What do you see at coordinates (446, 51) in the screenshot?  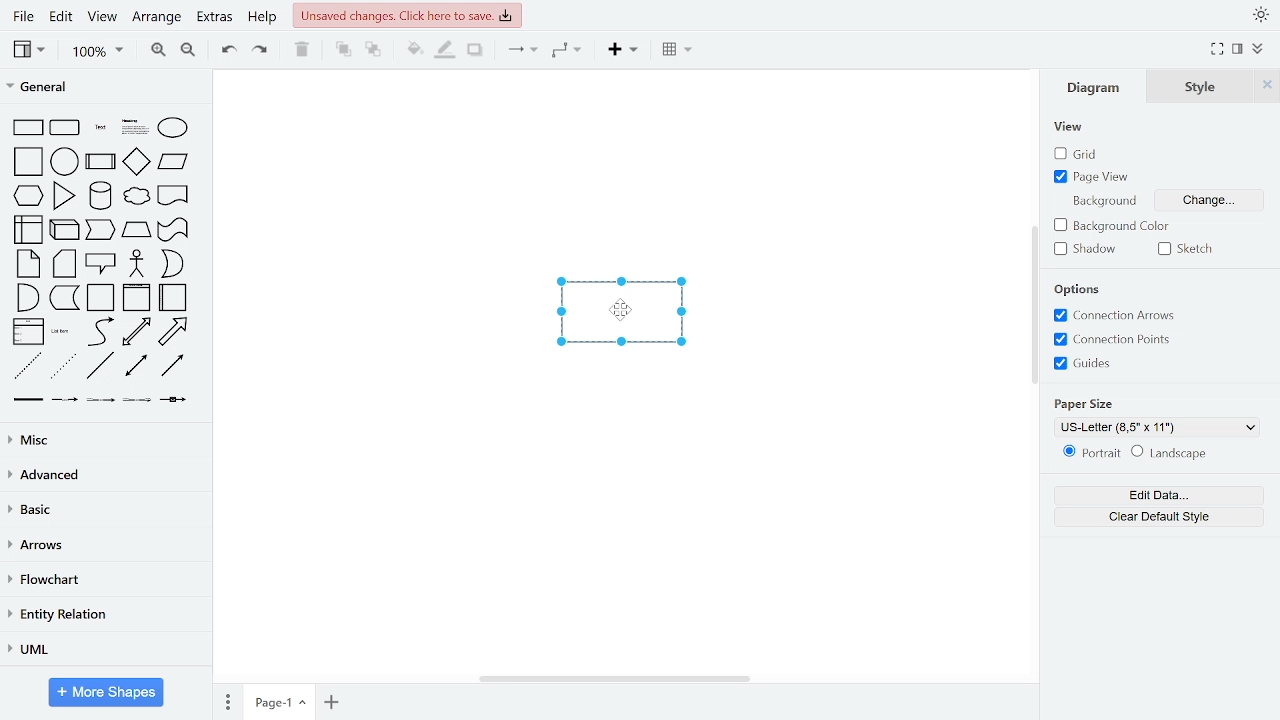 I see `fill line` at bounding box center [446, 51].